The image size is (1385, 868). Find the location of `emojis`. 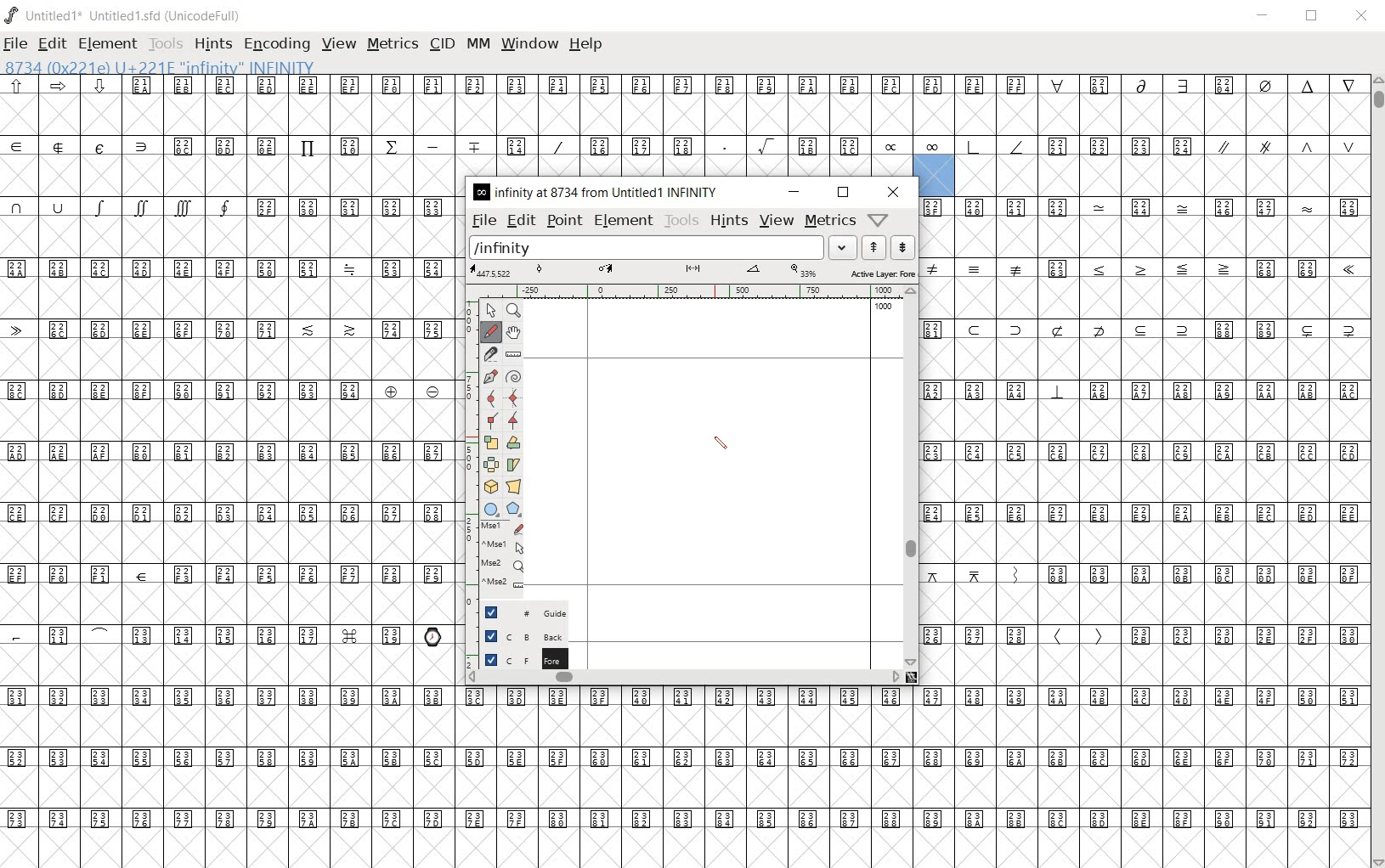

emojis is located at coordinates (436, 634).